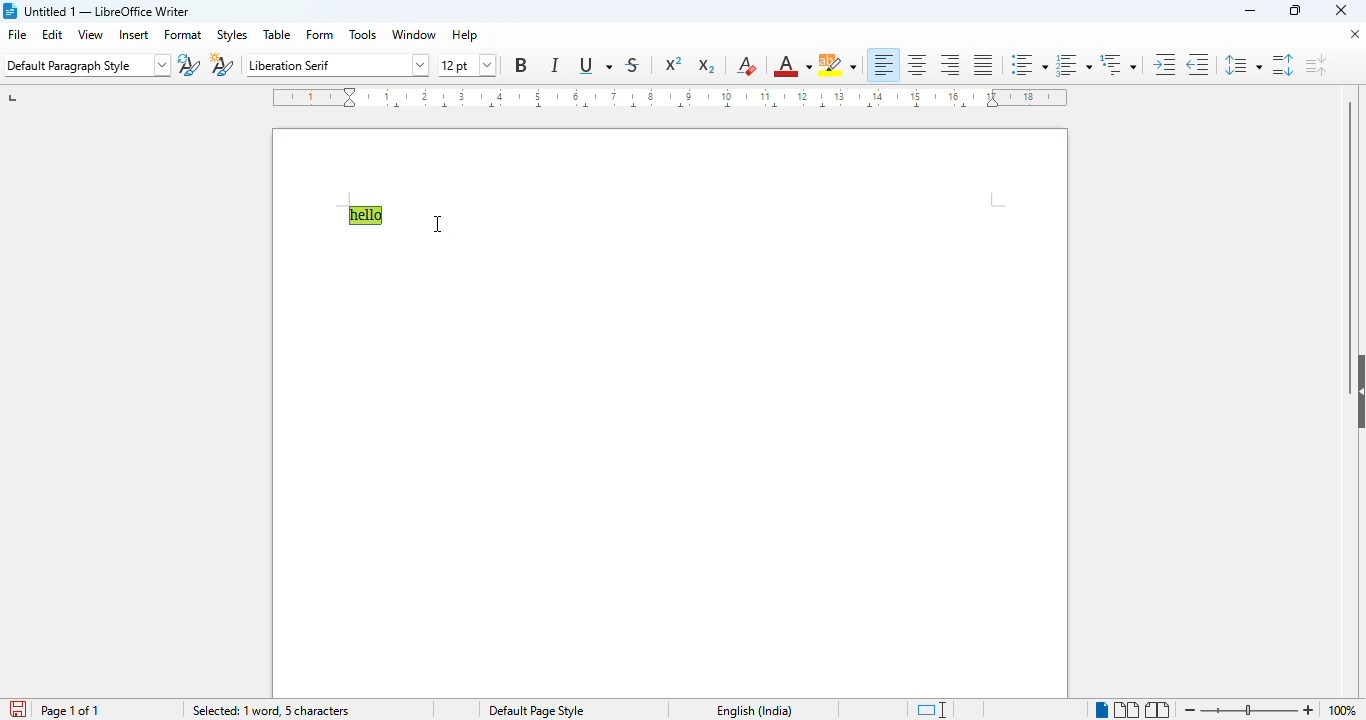 This screenshot has height=720, width=1366. What do you see at coordinates (70, 710) in the screenshot?
I see `page 1 of 1` at bounding box center [70, 710].